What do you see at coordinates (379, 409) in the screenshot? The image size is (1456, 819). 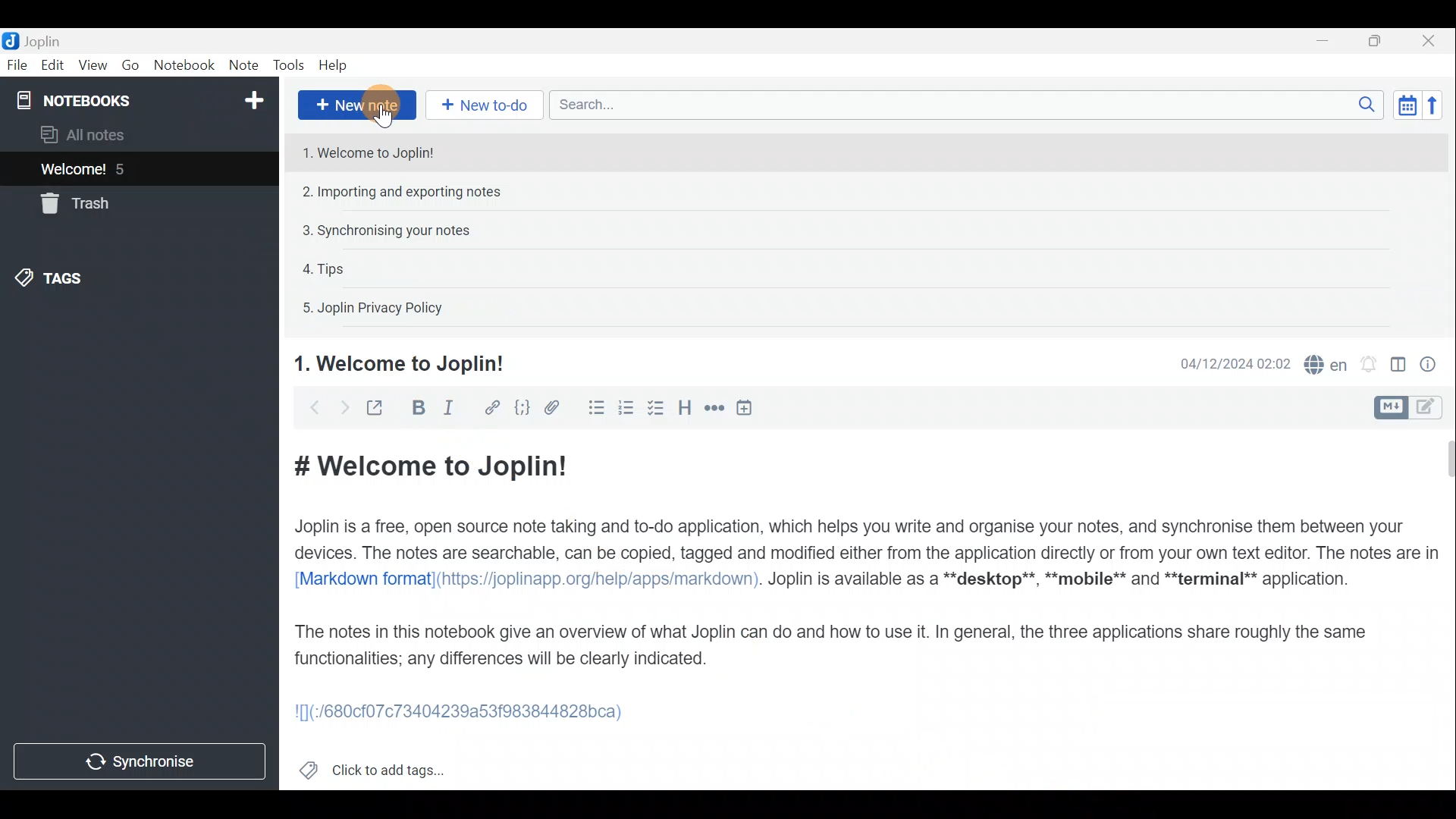 I see `Toggle external editing` at bounding box center [379, 409].